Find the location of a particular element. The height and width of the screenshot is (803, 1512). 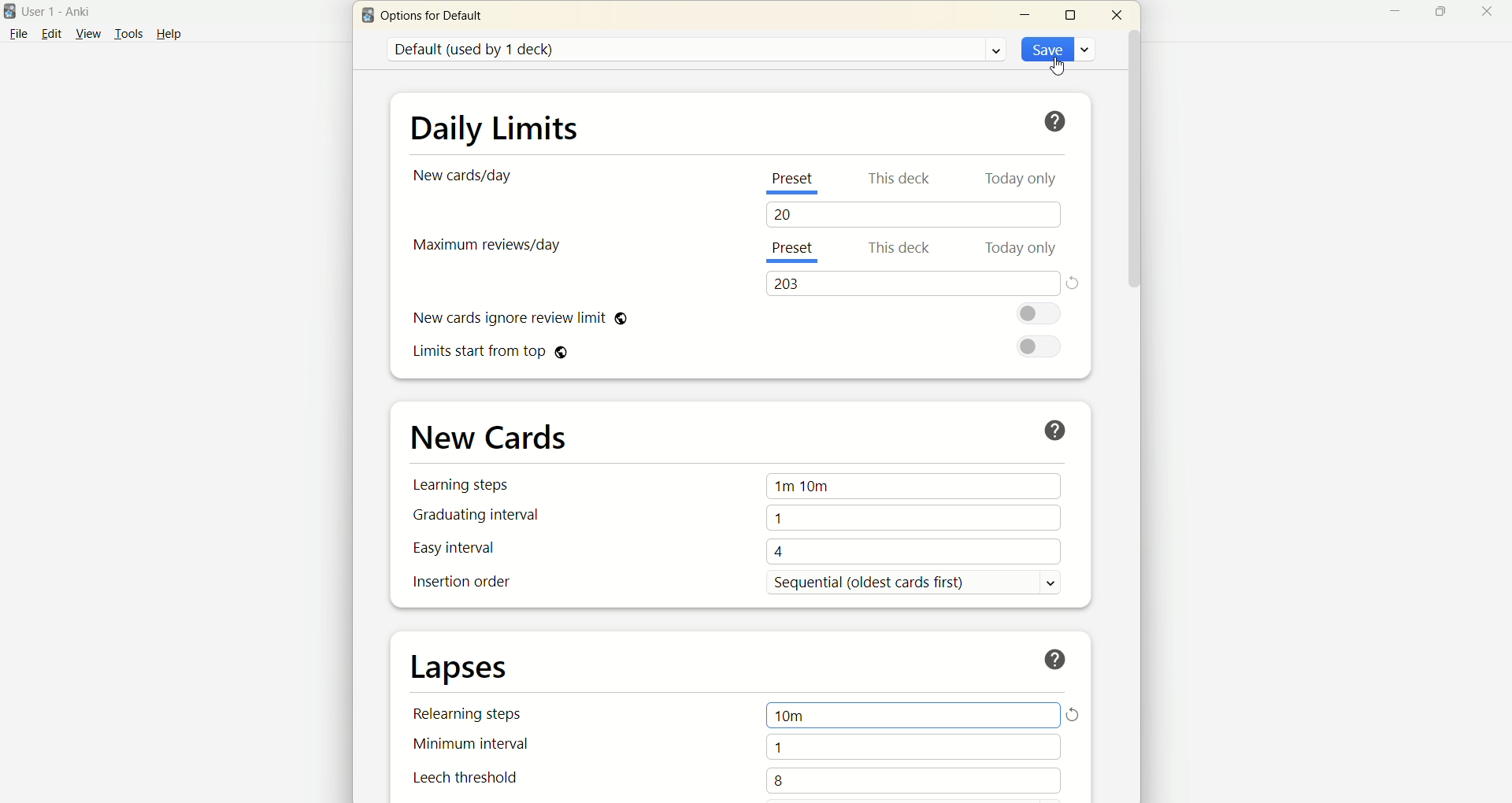

toggle button is located at coordinates (1042, 315).